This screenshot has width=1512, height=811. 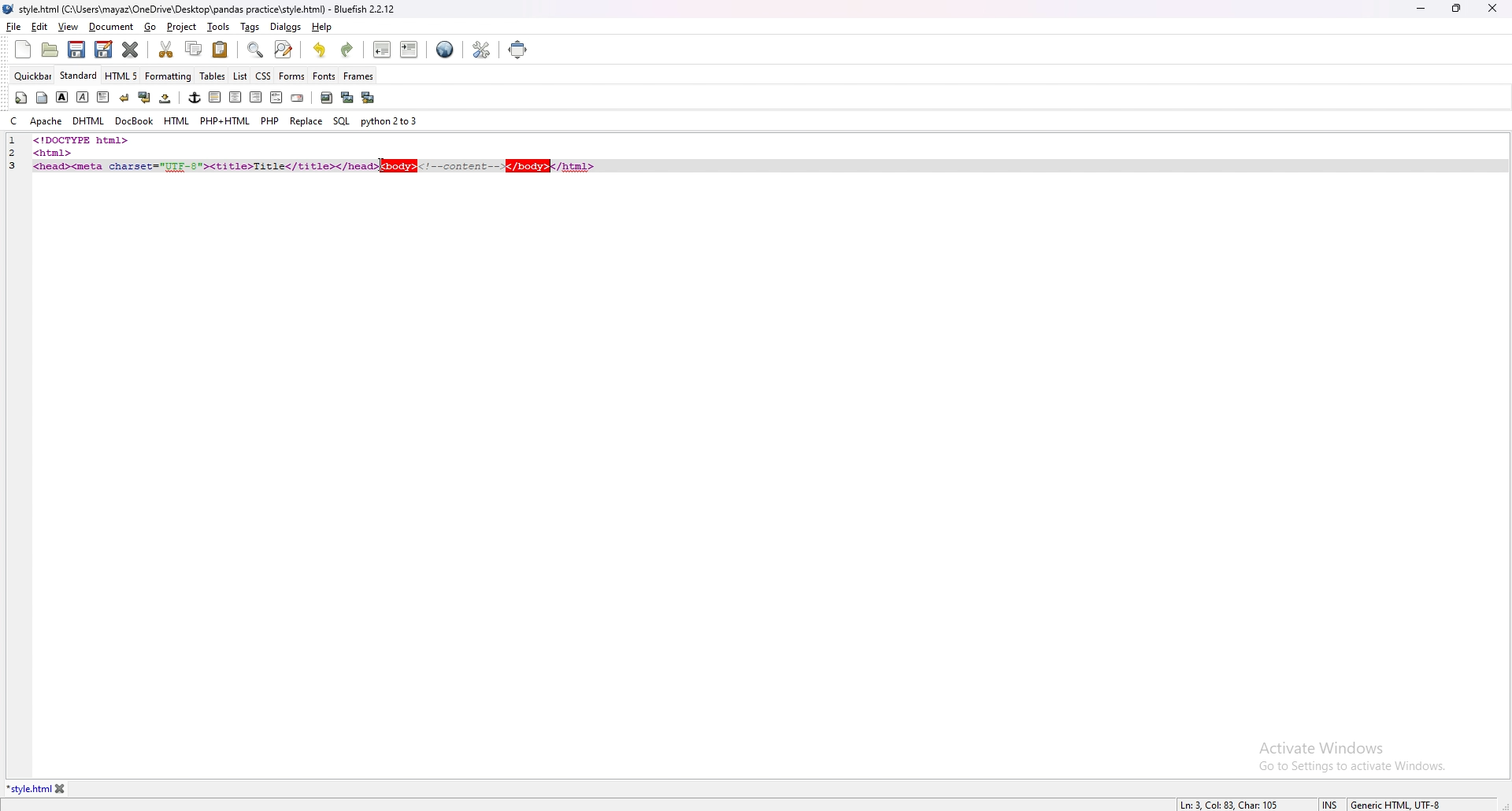 I want to click on advanced find and replace, so click(x=283, y=49).